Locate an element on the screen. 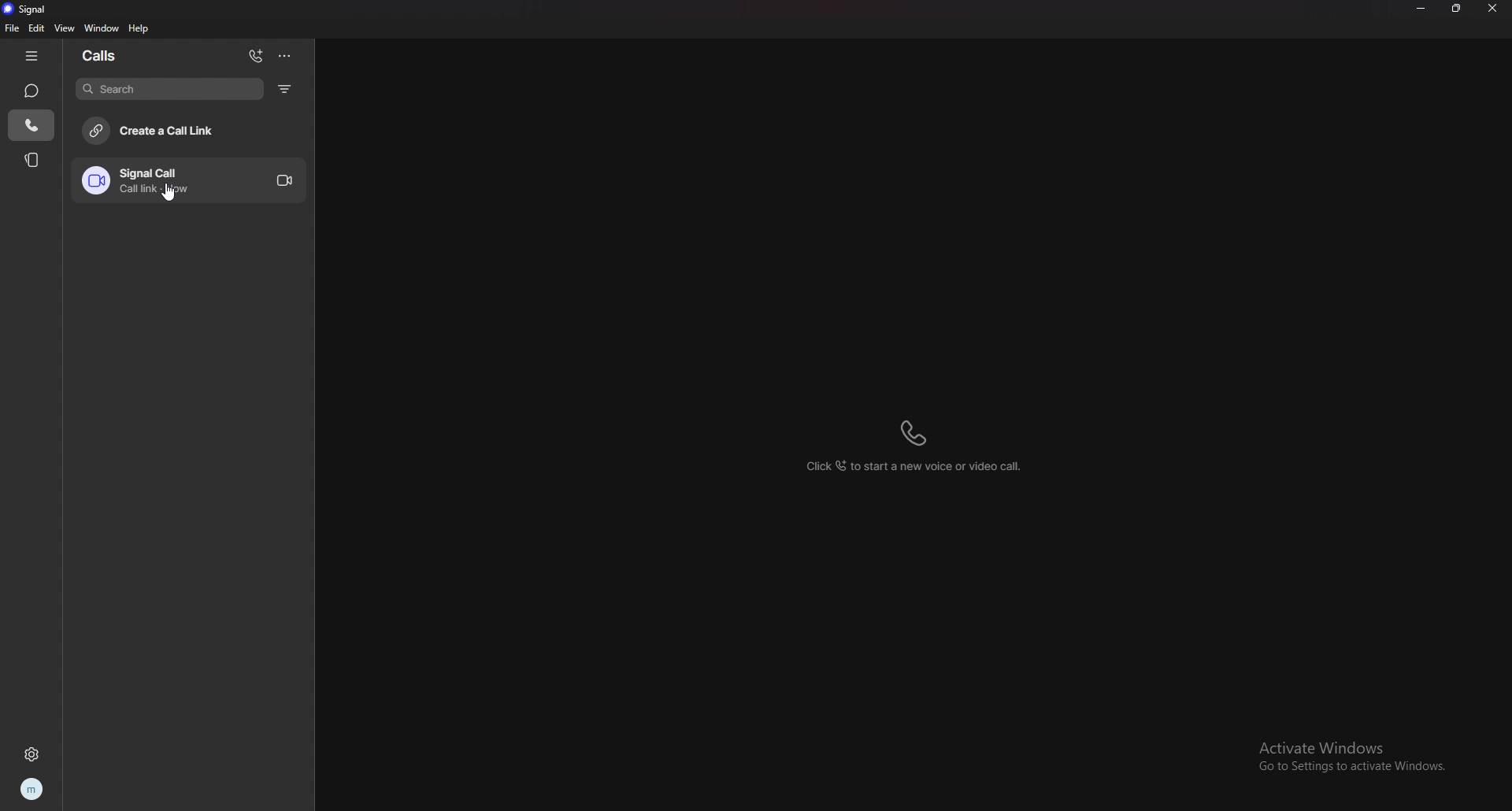 The width and height of the screenshot is (1512, 811). close is located at coordinates (1495, 8).